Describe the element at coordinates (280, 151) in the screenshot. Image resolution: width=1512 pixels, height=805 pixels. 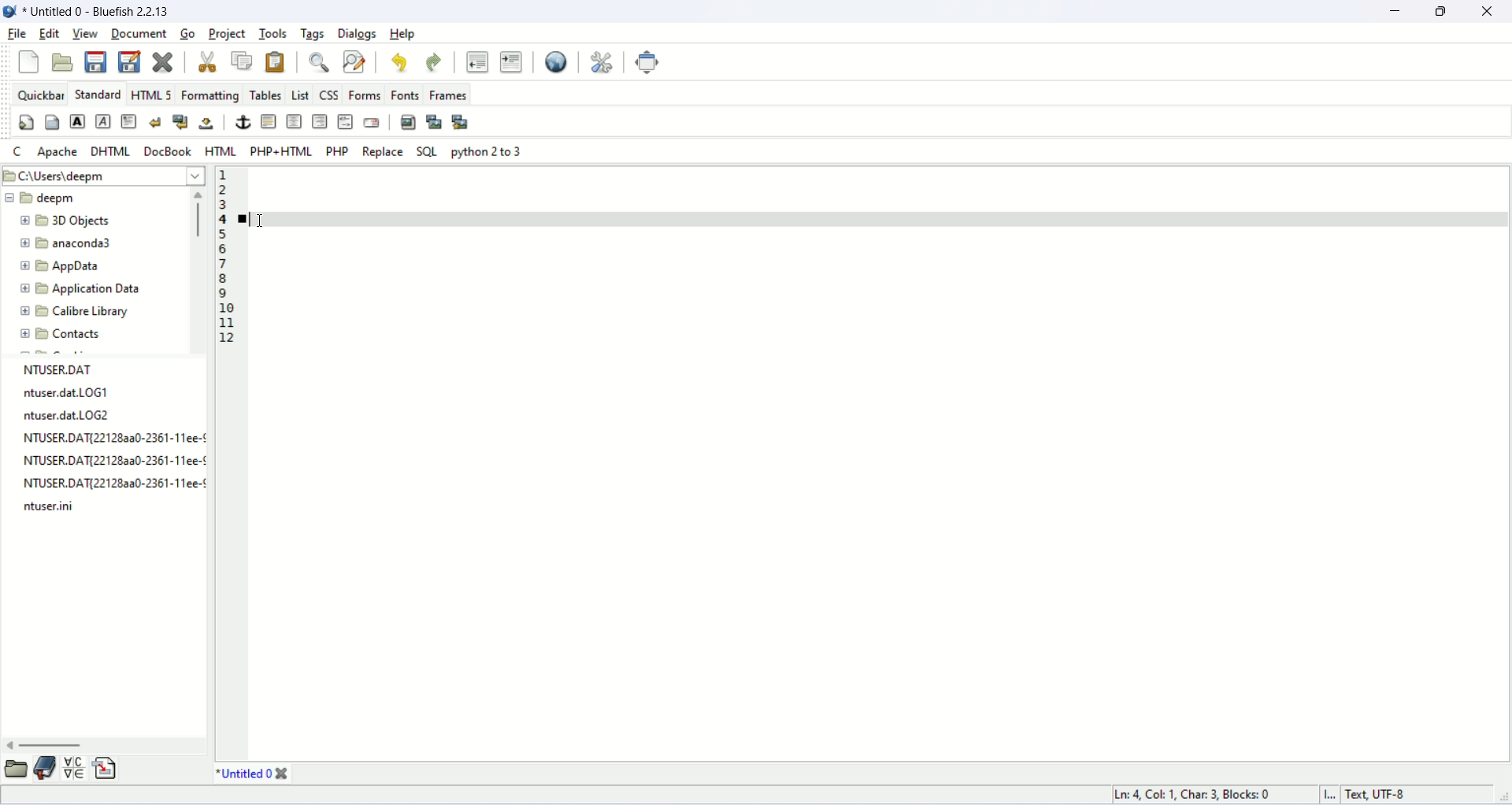
I see `PHP+HTML/////` at that location.